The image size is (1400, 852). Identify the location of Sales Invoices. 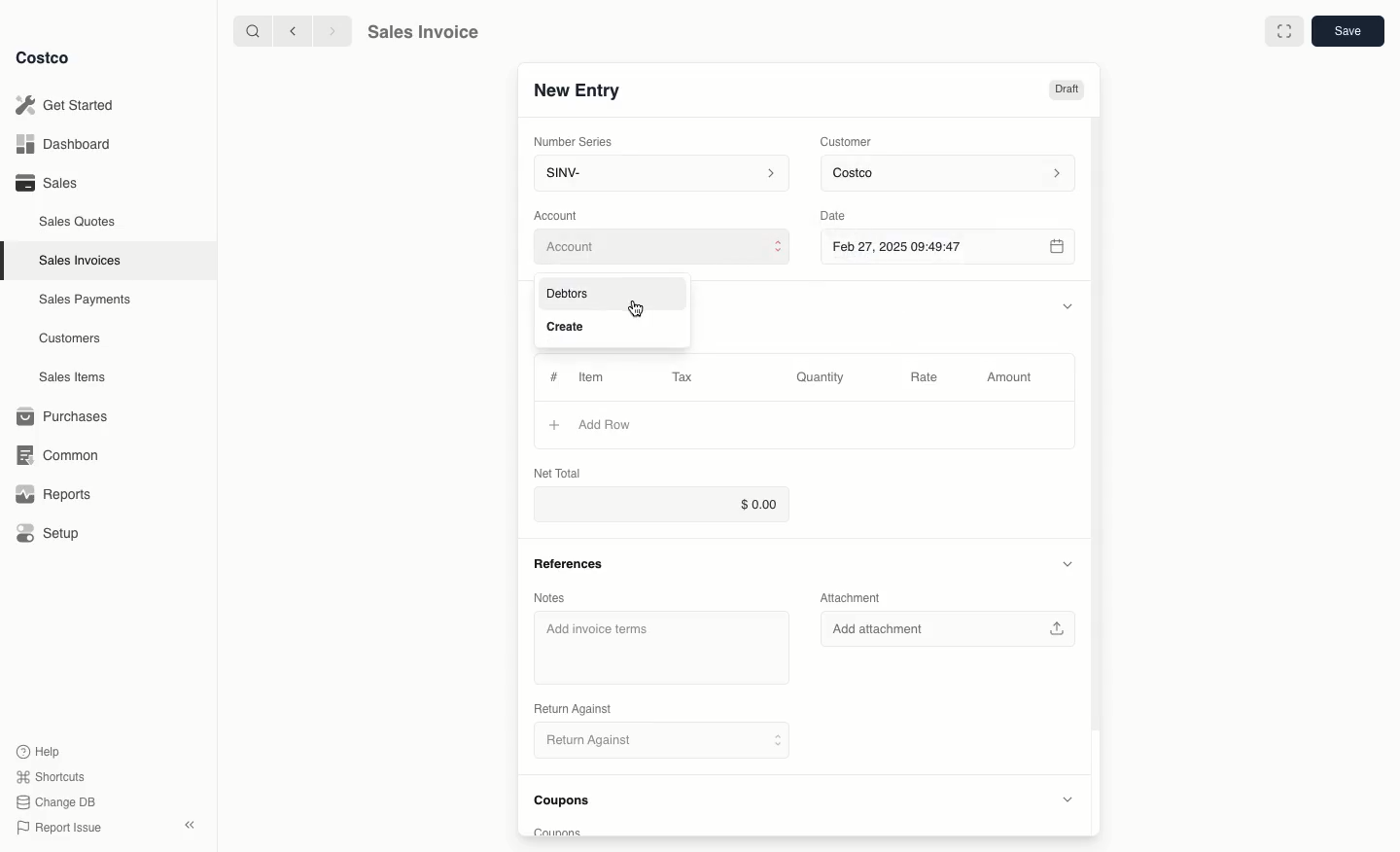
(83, 260).